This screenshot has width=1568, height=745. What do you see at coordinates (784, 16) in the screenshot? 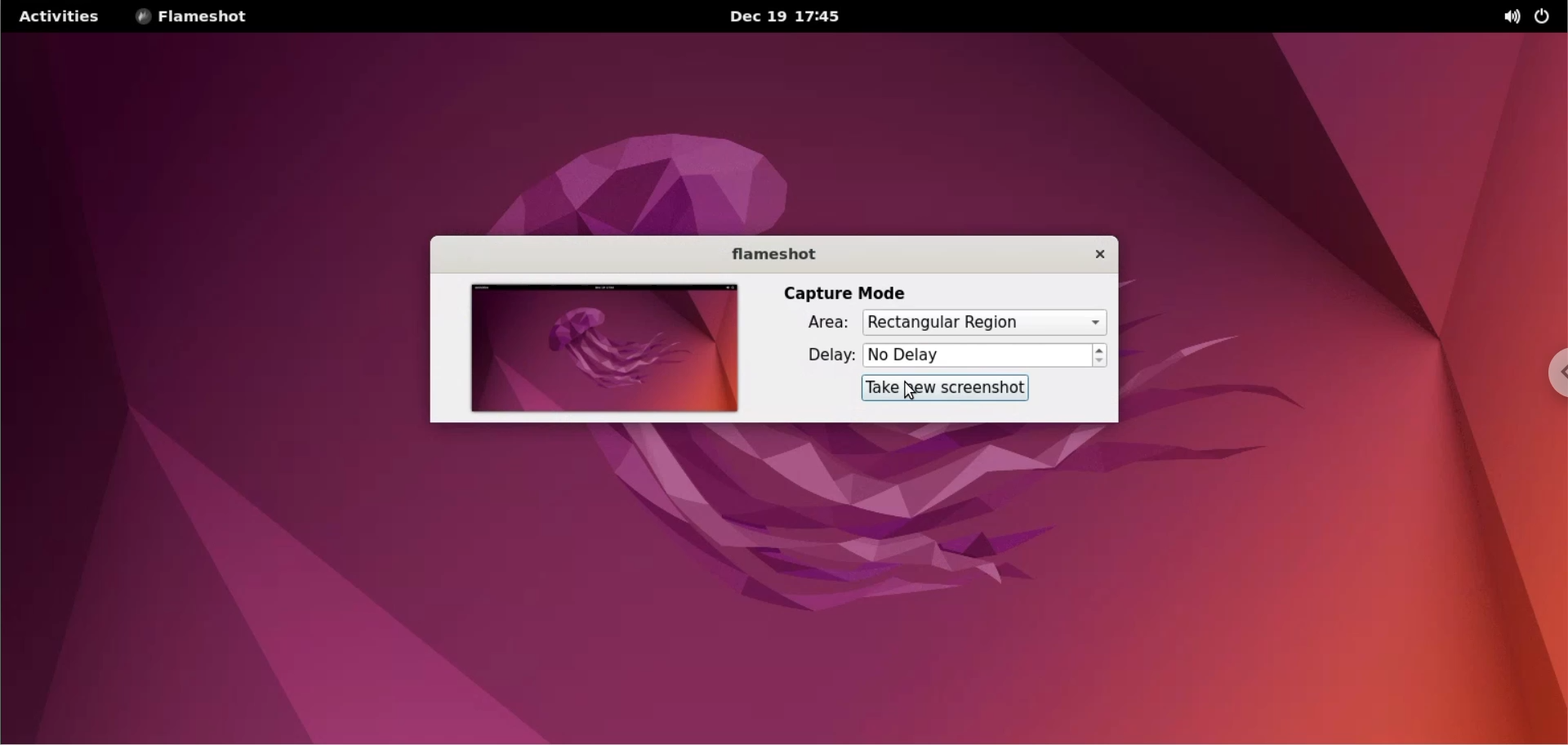
I see `Dec 19 17:45` at bounding box center [784, 16].